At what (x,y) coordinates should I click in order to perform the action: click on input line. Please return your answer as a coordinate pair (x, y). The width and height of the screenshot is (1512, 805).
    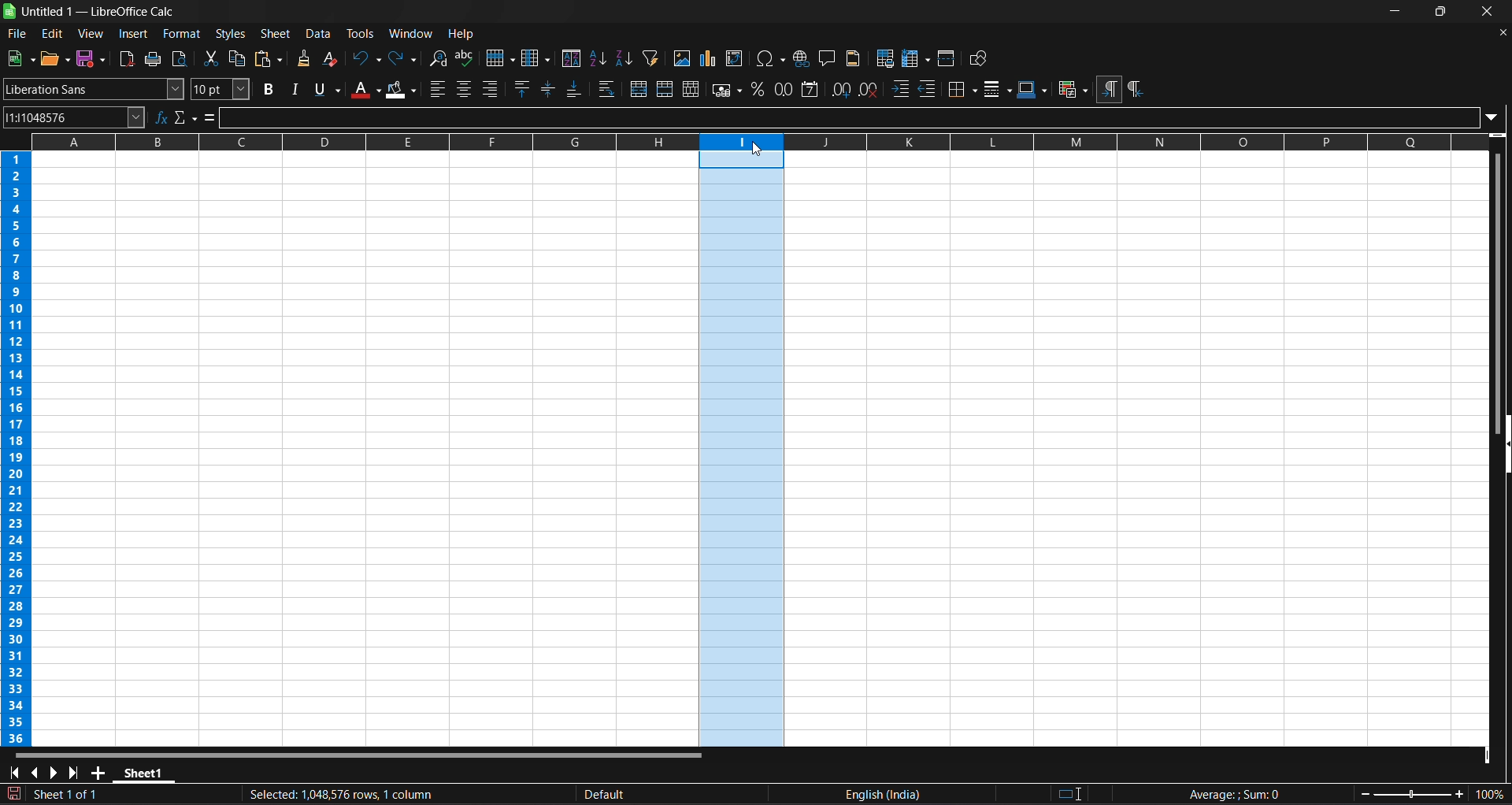
    Looking at the image, I should click on (858, 117).